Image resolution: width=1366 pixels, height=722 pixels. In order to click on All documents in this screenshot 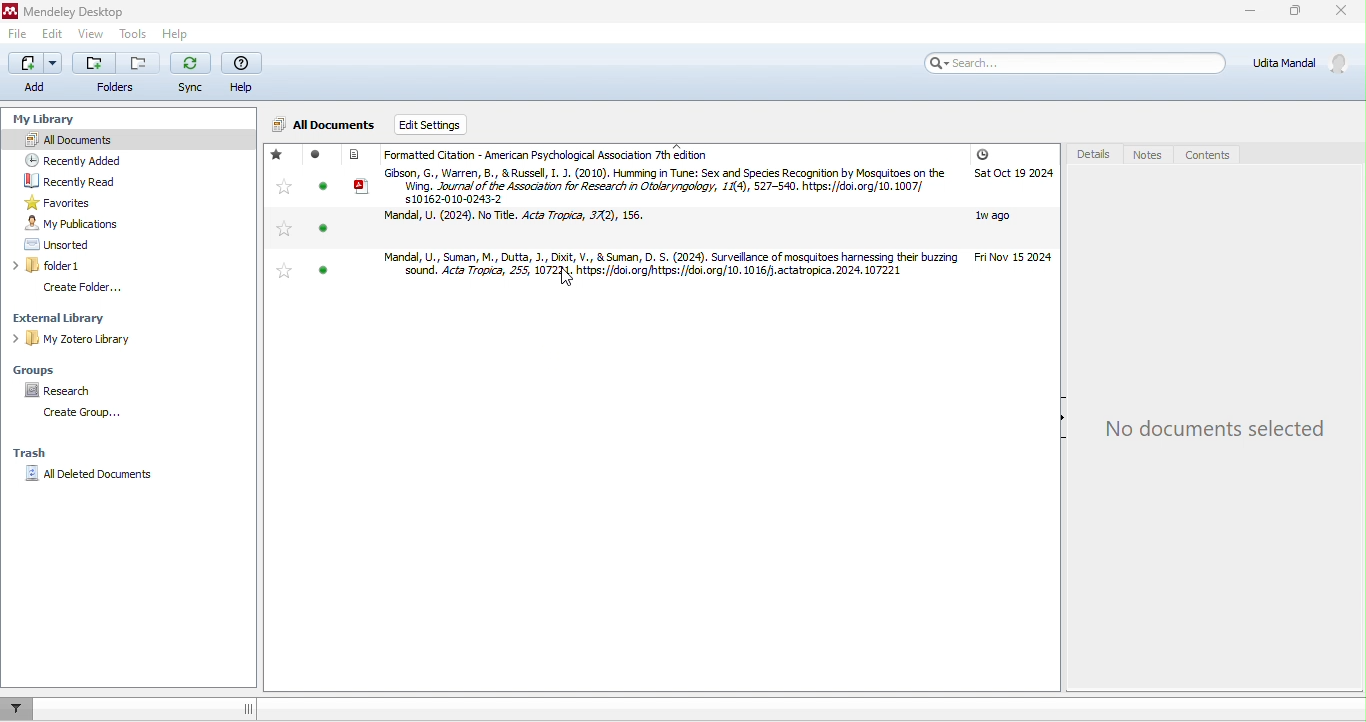, I will do `click(325, 123)`.